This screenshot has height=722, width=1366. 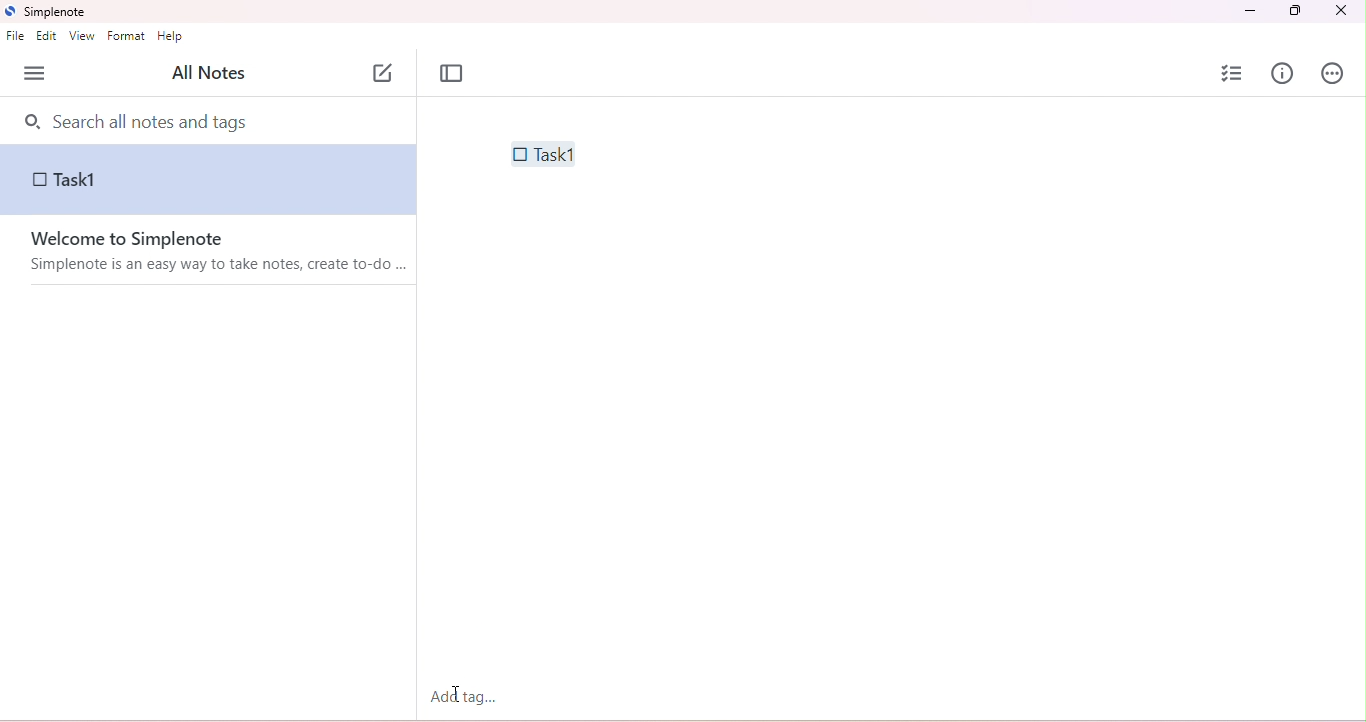 I want to click on actions, so click(x=1333, y=75).